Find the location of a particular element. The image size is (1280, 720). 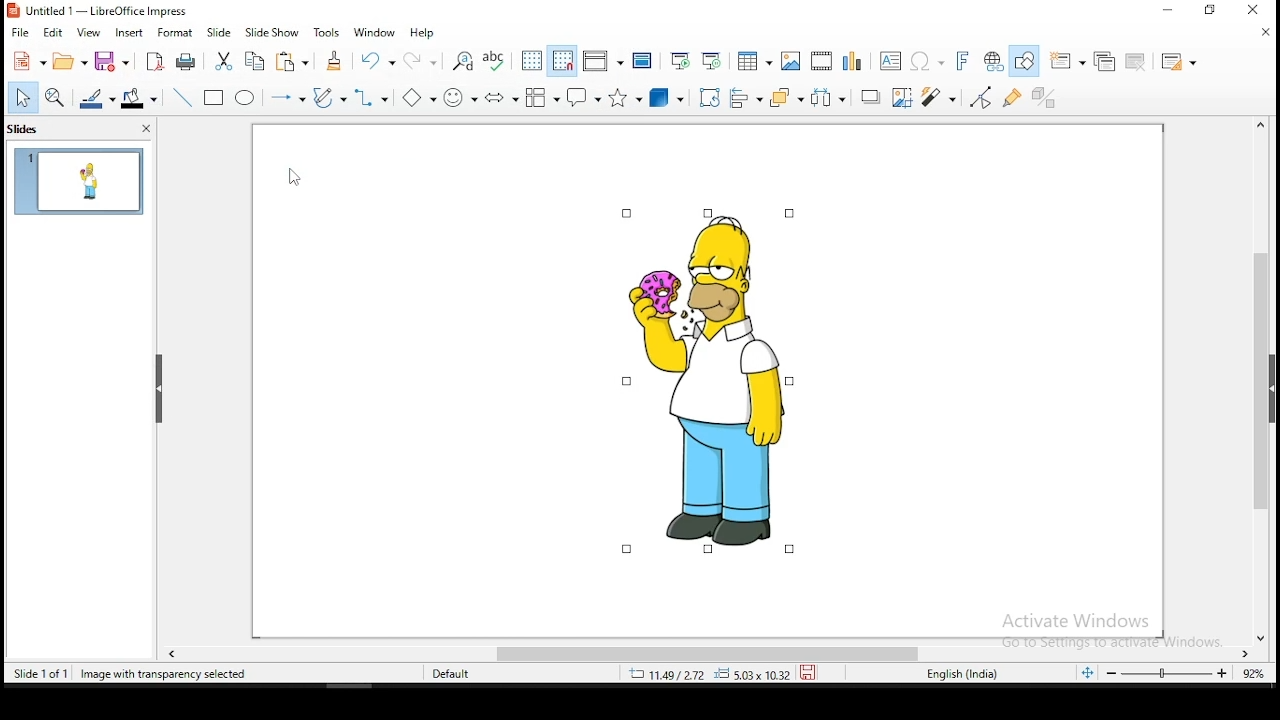

duplicate slide is located at coordinates (1101, 61).